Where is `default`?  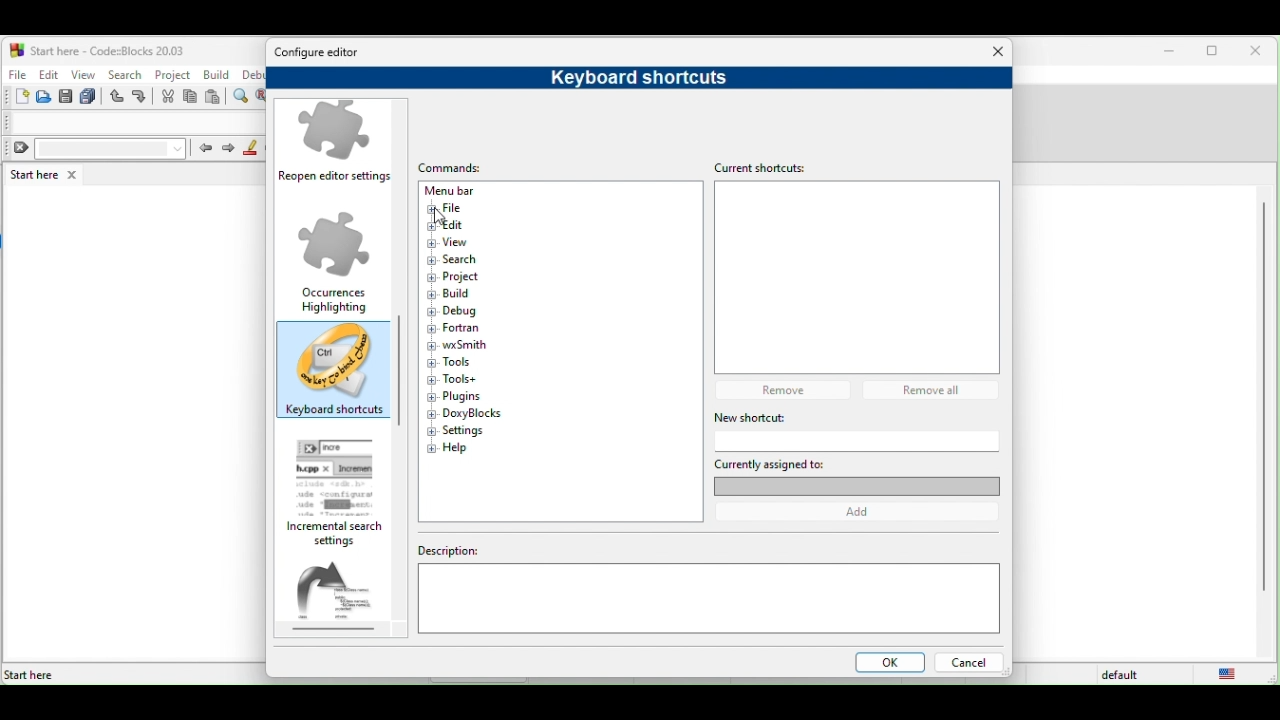
default is located at coordinates (1123, 675).